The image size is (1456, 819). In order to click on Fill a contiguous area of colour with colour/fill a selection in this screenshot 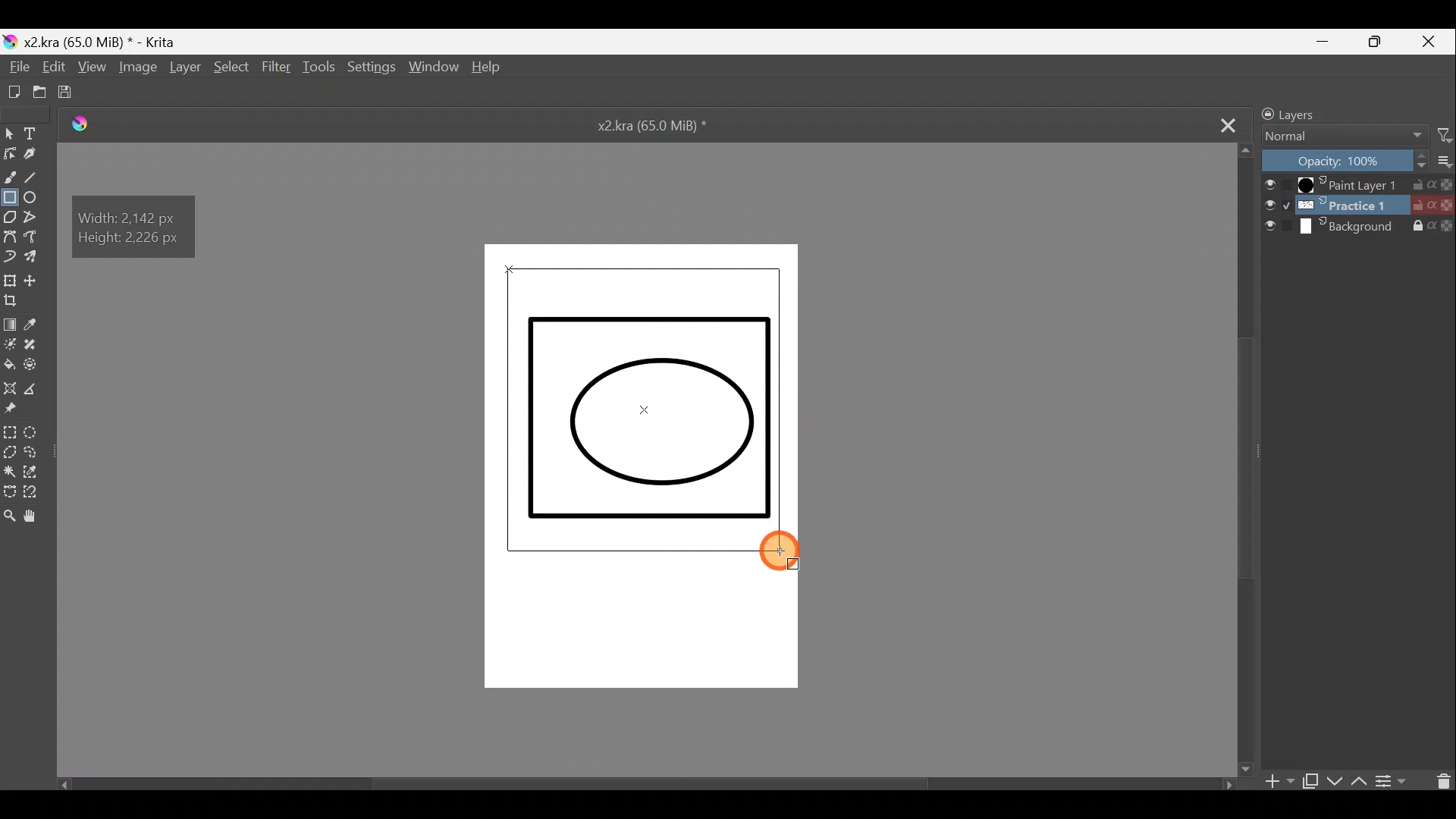, I will do `click(11, 364)`.